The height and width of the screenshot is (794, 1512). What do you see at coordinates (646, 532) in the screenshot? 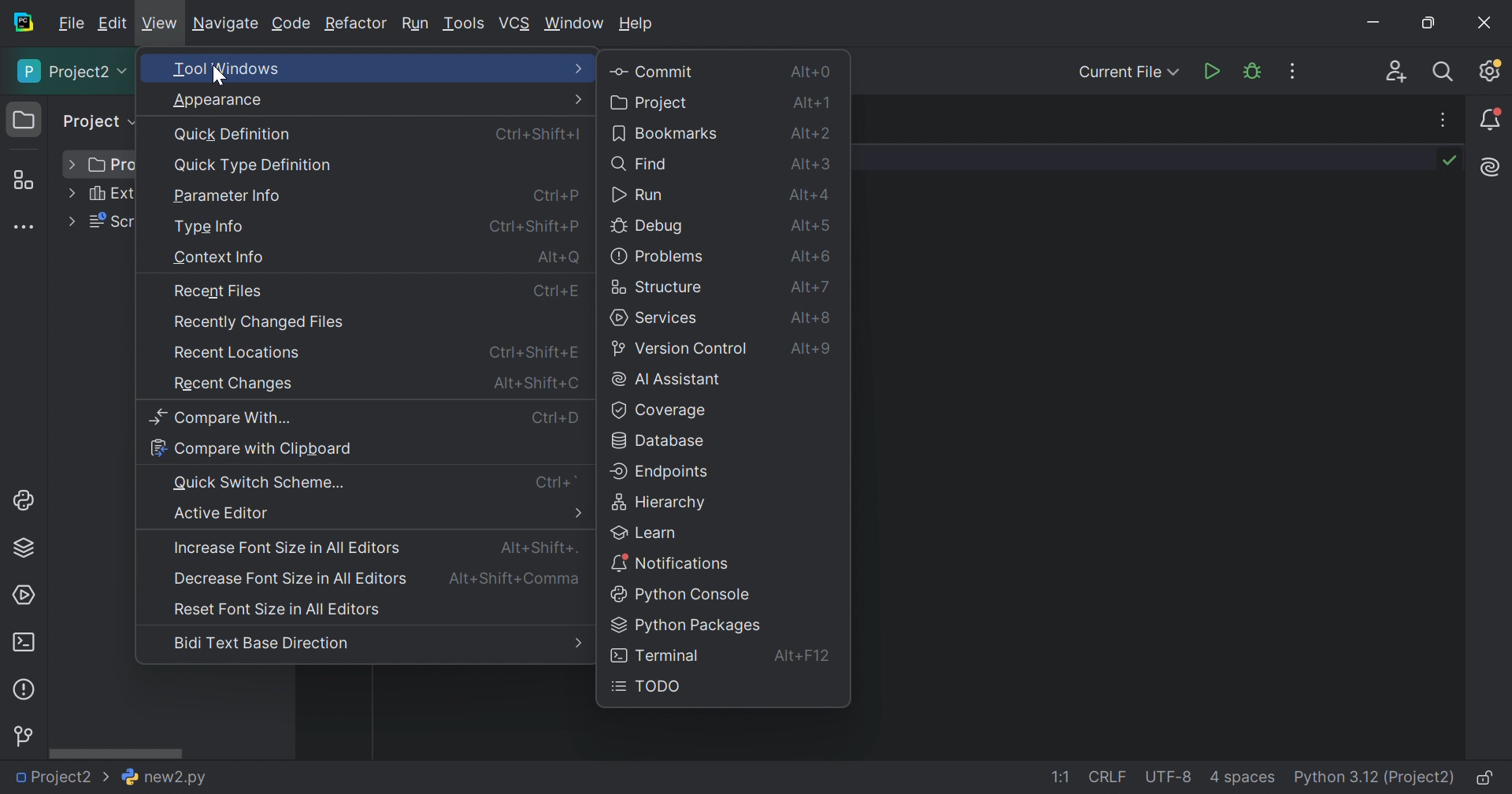
I see `Learn` at bounding box center [646, 532].